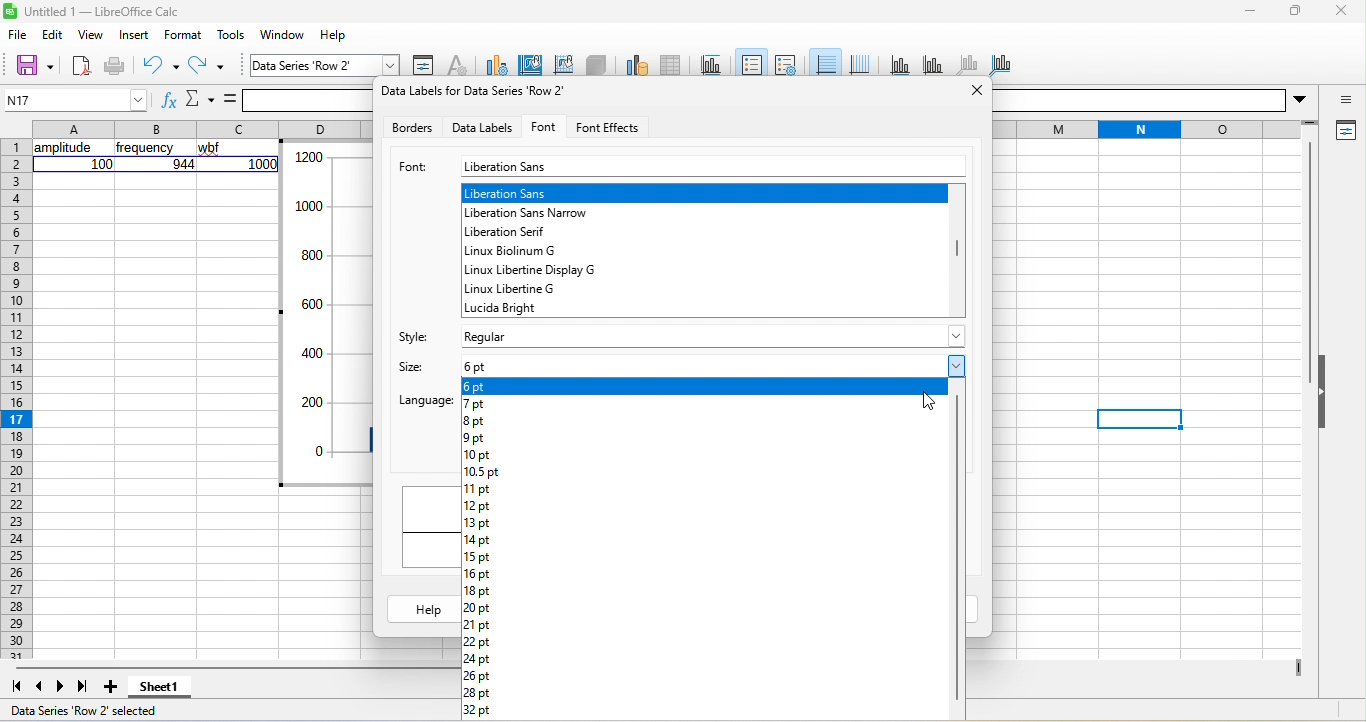  I want to click on language, so click(424, 403).